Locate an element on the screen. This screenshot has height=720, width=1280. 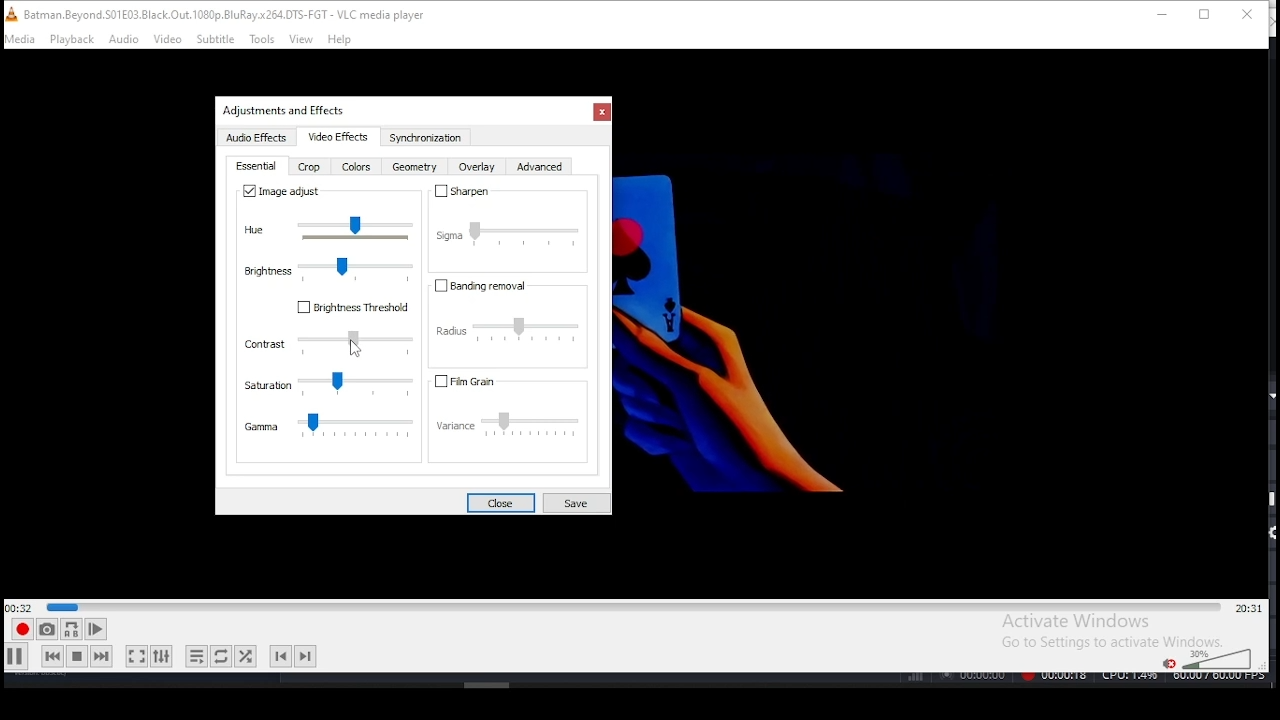
video effects is located at coordinates (335, 137).